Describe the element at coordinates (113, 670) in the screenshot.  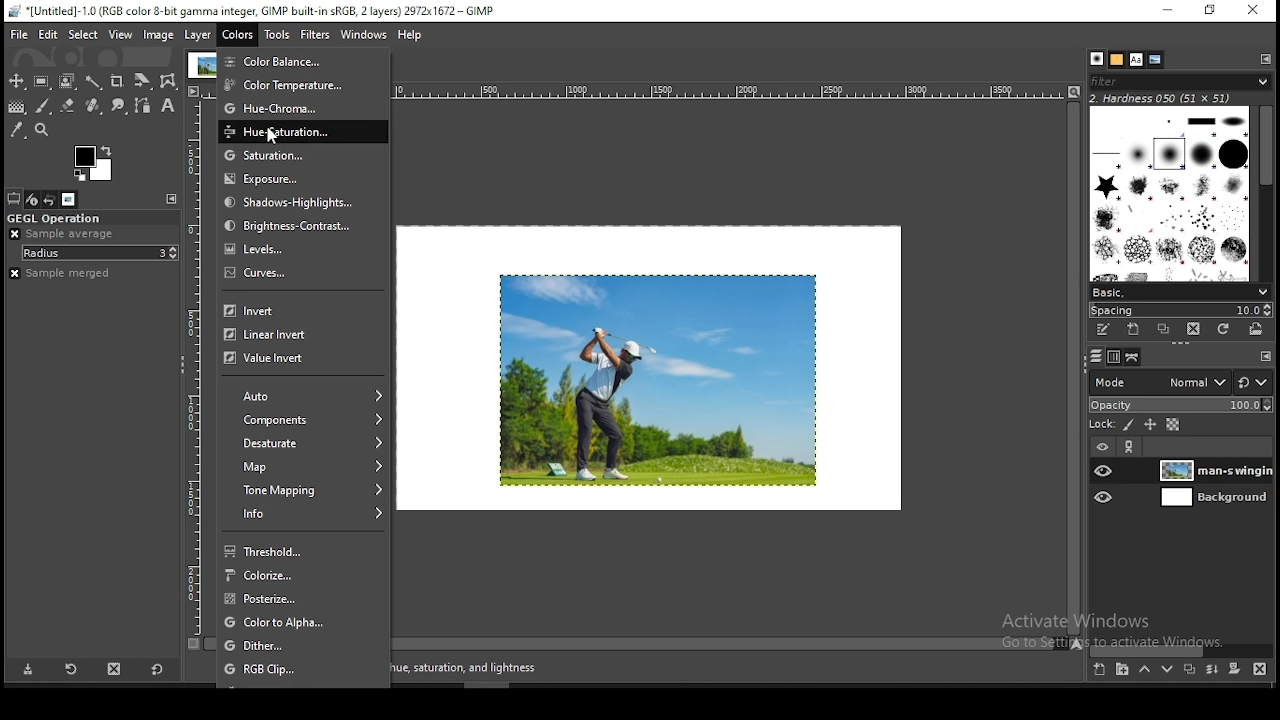
I see `delete tool preset` at that location.